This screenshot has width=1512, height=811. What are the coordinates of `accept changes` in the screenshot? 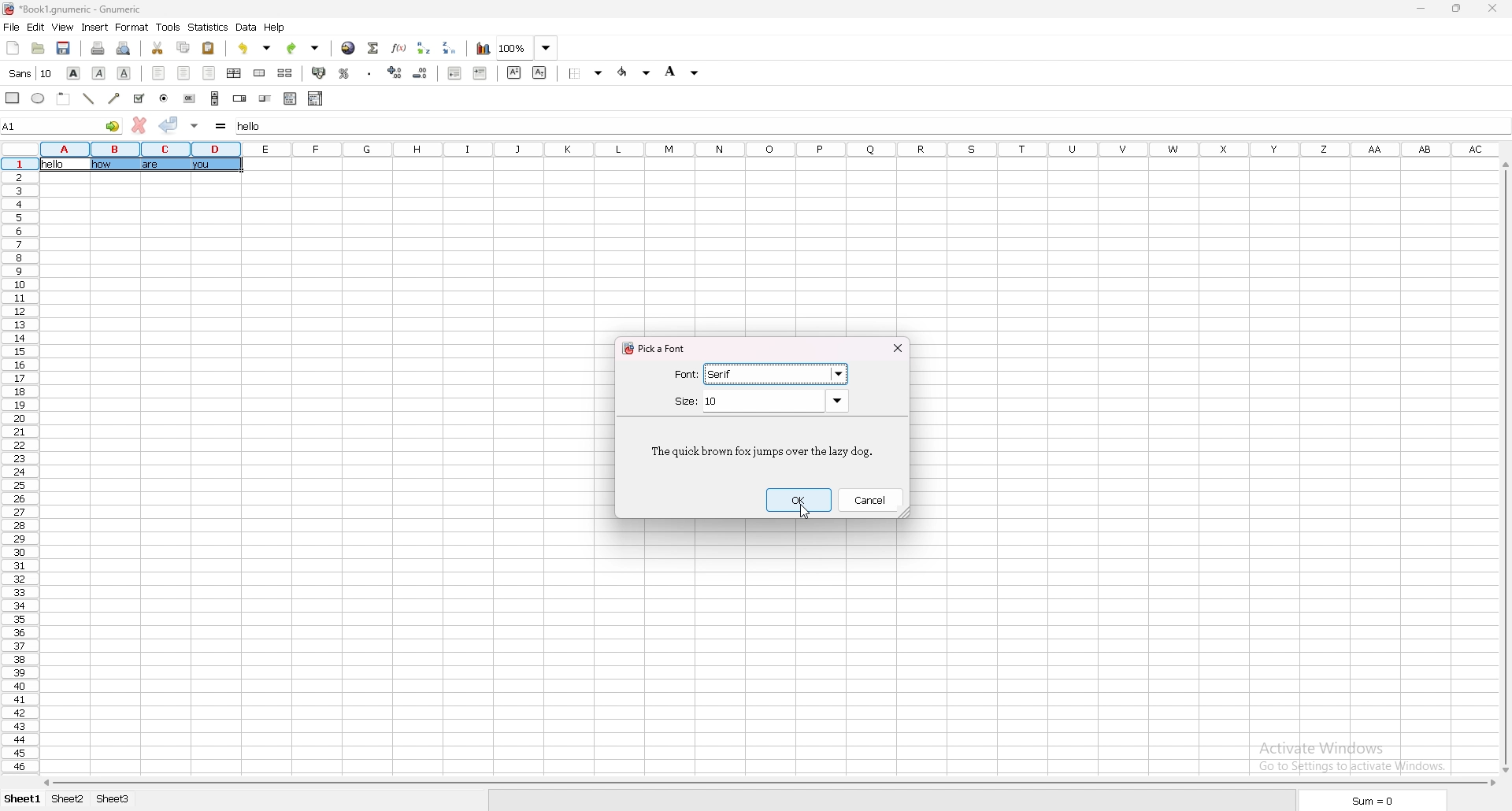 It's located at (169, 124).